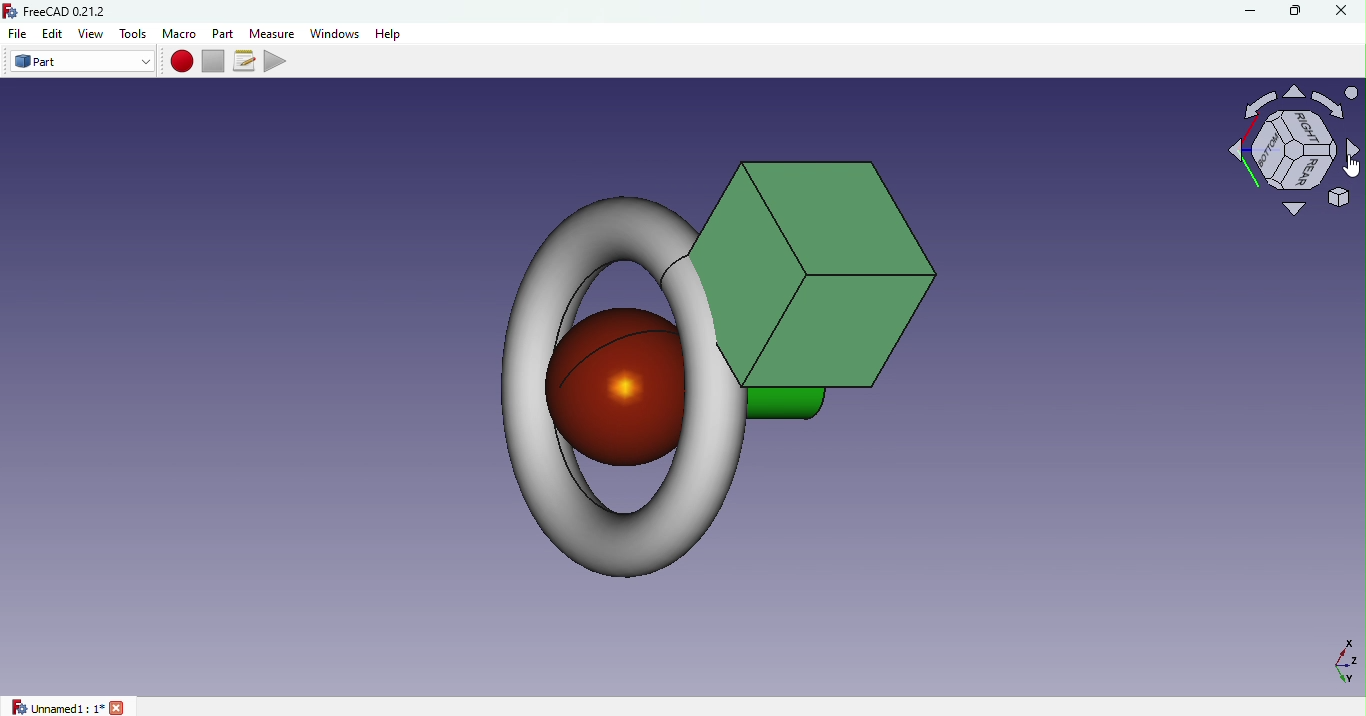  Describe the element at coordinates (224, 32) in the screenshot. I see `Part` at that location.